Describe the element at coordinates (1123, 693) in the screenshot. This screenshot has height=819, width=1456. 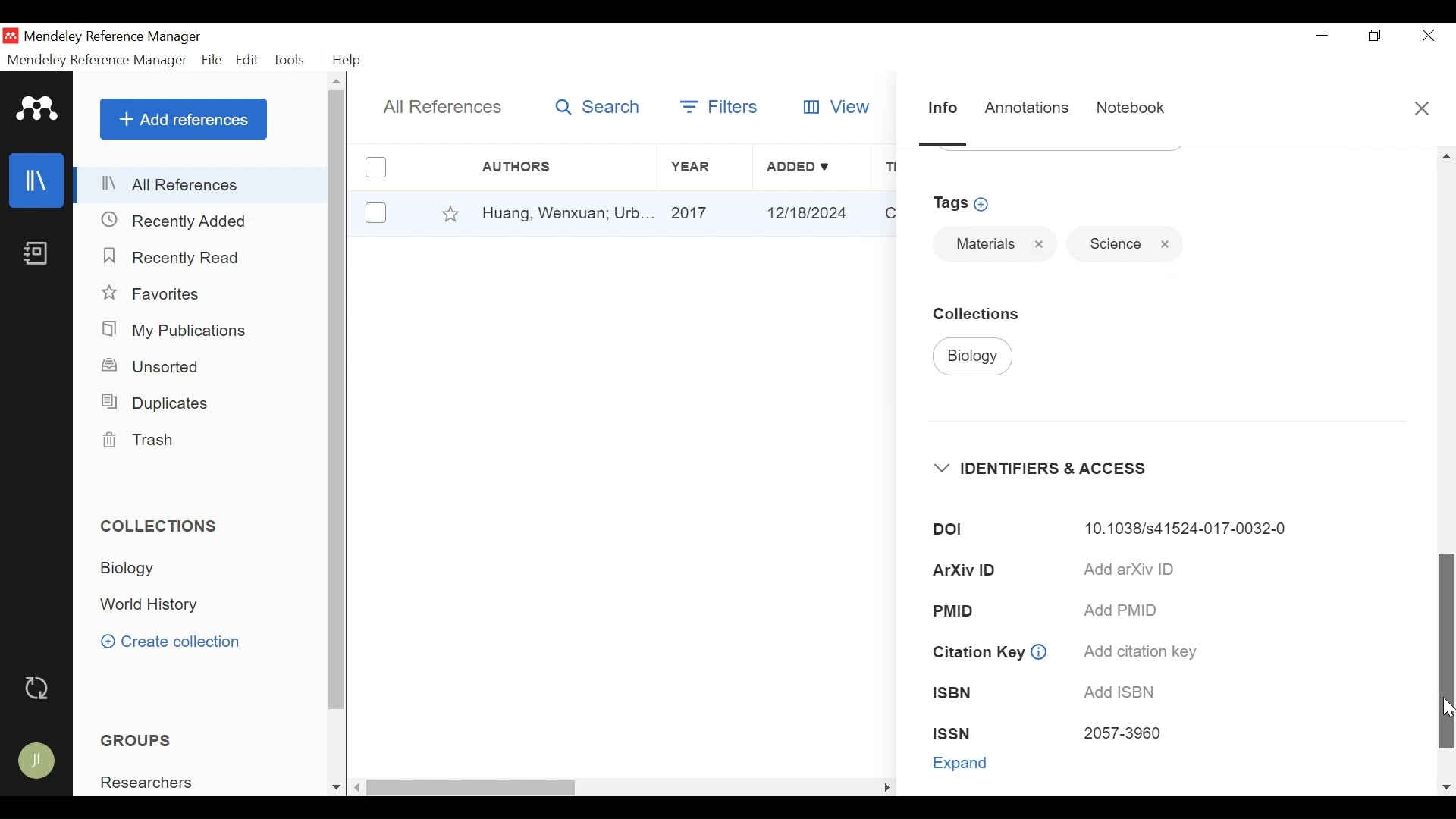
I see `Add ISBN` at that location.